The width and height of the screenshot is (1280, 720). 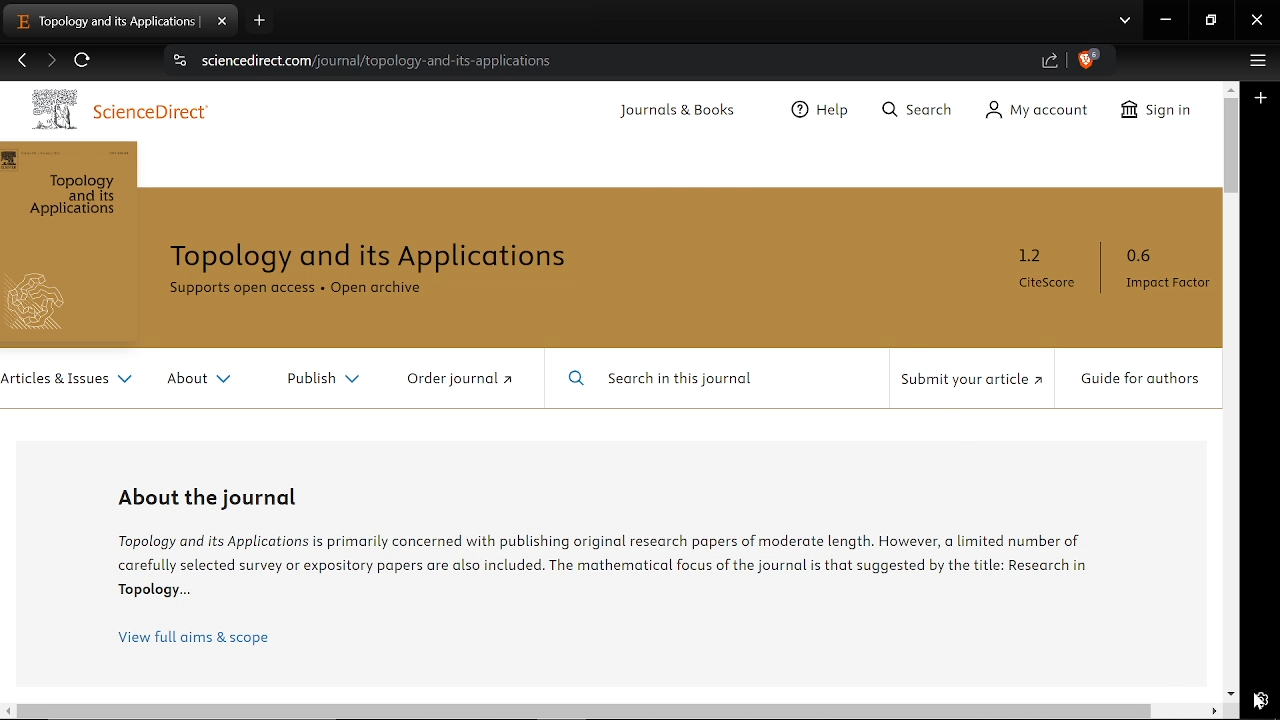 What do you see at coordinates (8, 711) in the screenshot?
I see `Move left` at bounding box center [8, 711].